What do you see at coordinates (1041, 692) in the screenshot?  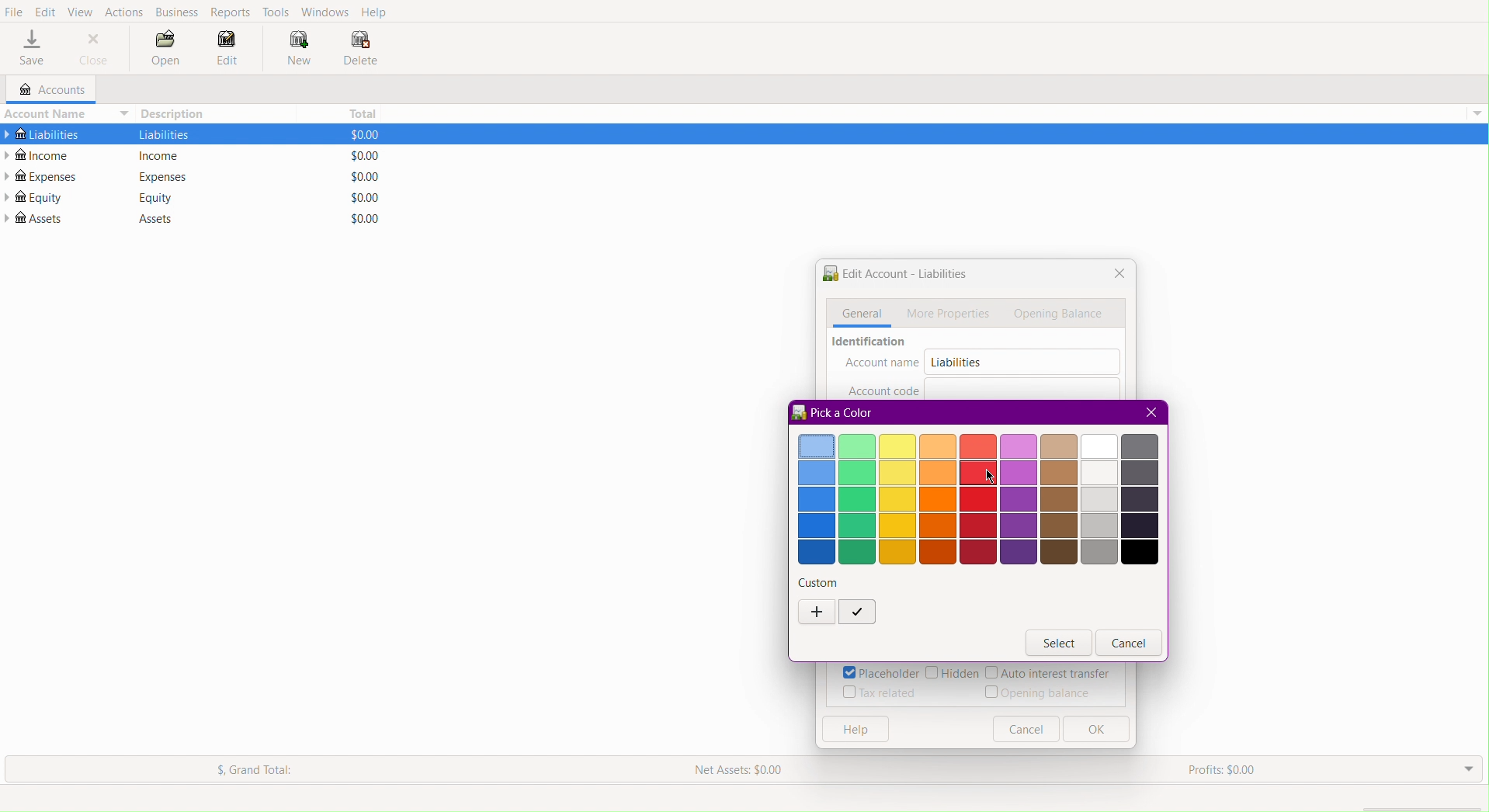 I see `Opening balance` at bounding box center [1041, 692].